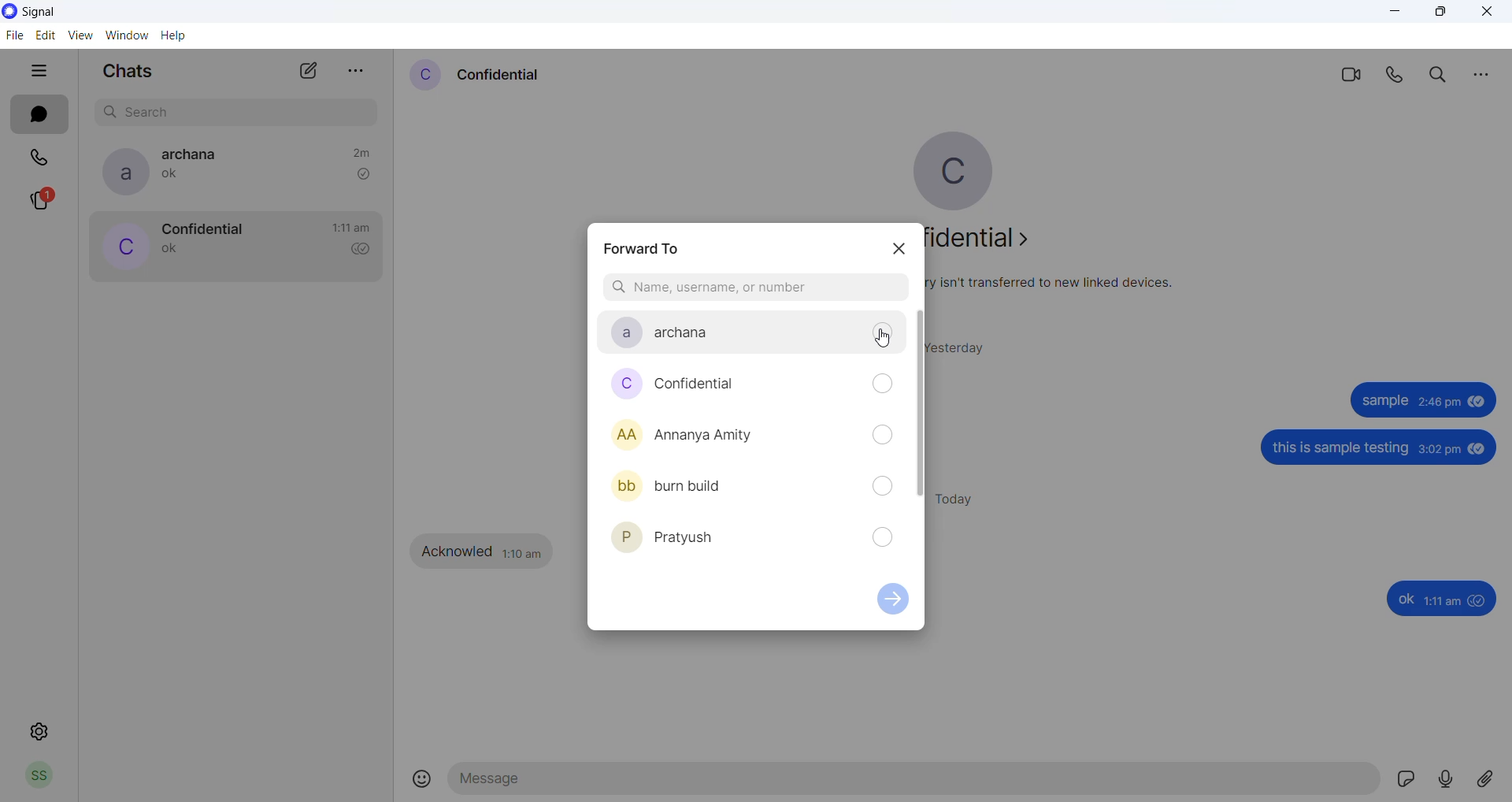 This screenshot has width=1512, height=802. Describe the element at coordinates (916, 783) in the screenshot. I see `message text area` at that location.